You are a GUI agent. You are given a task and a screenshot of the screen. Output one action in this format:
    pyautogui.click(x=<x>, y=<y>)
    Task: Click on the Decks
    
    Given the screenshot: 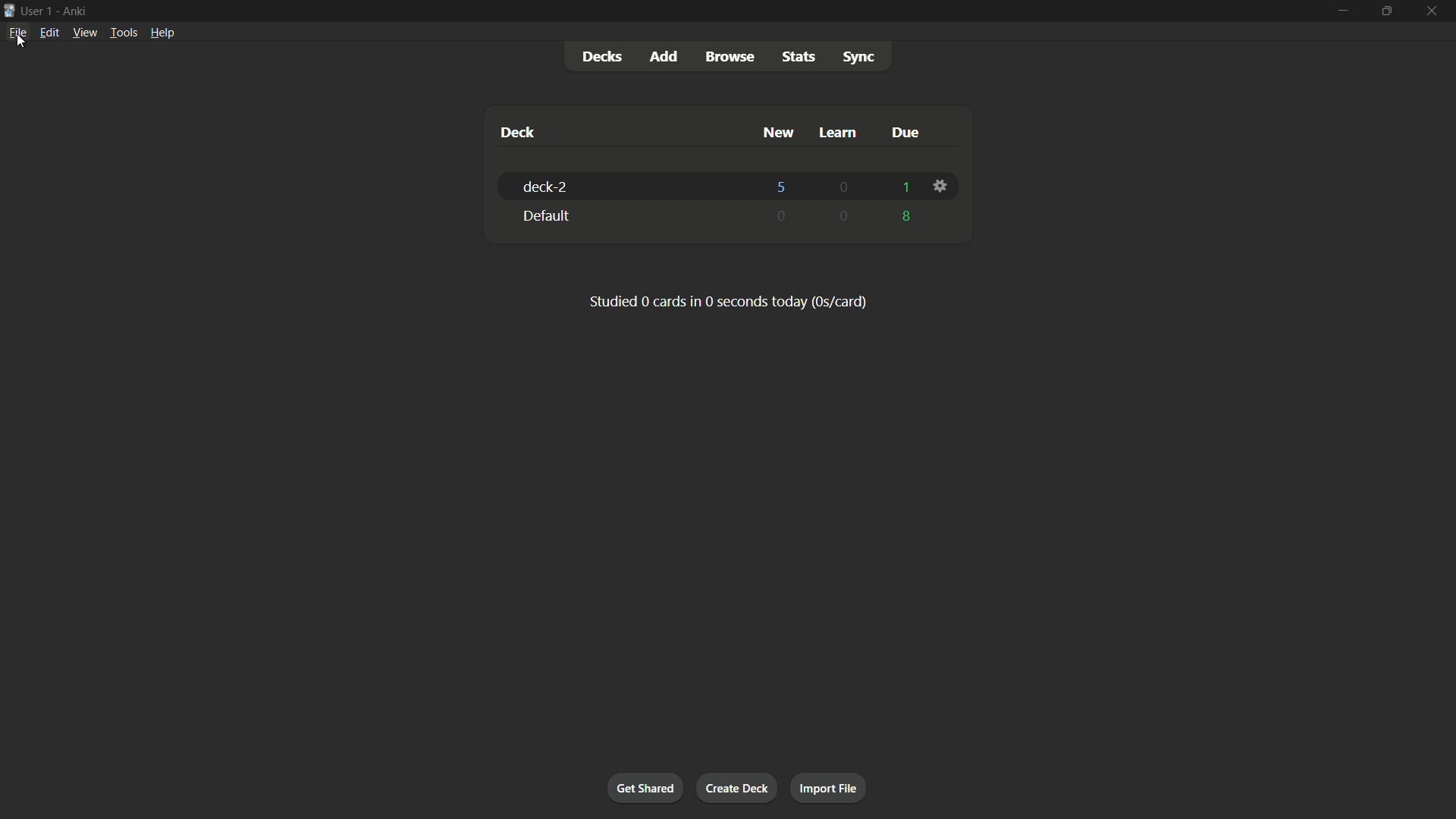 What is the action you would take?
    pyautogui.click(x=601, y=56)
    